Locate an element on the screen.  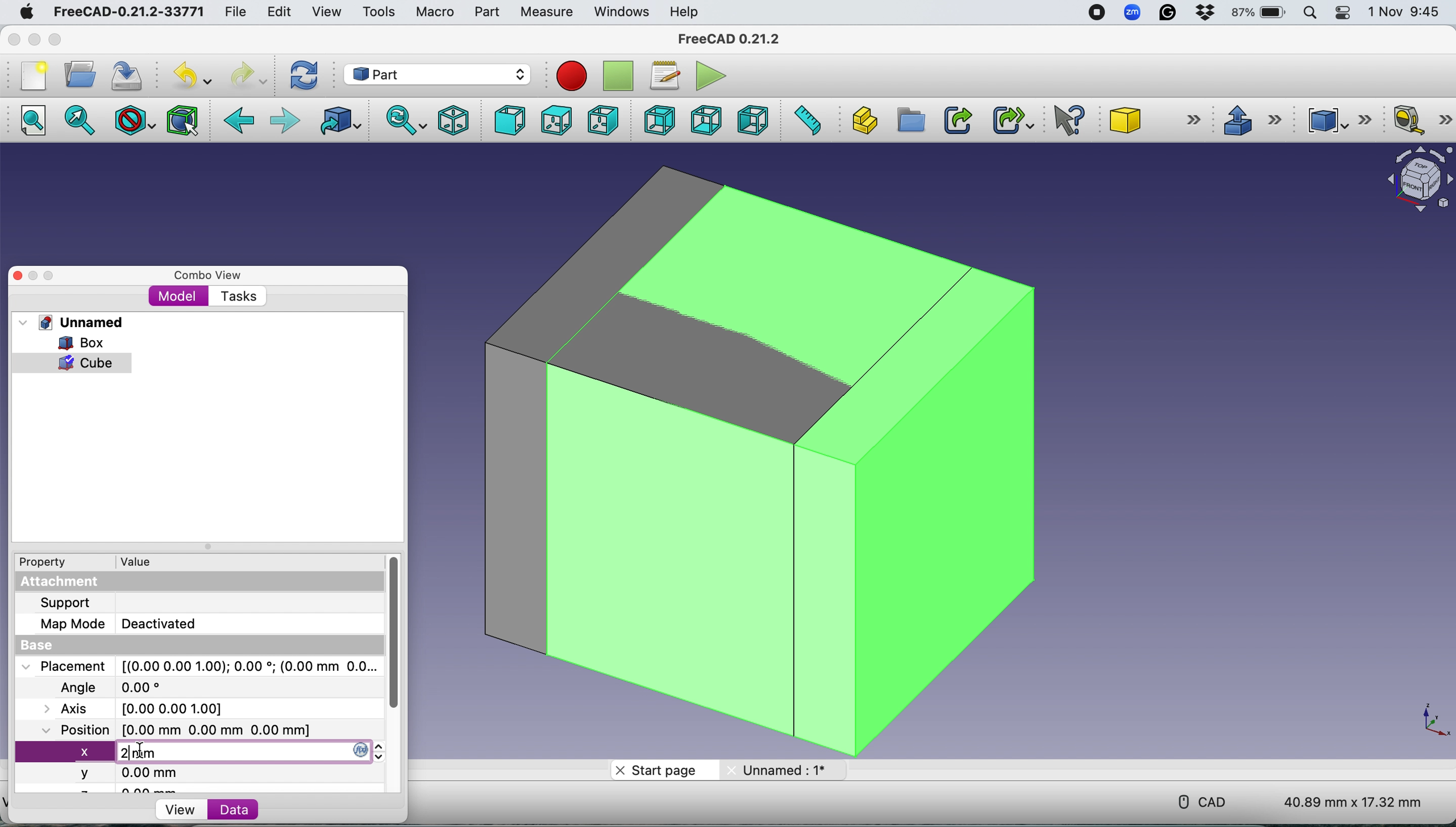
Rear is located at coordinates (656, 120).